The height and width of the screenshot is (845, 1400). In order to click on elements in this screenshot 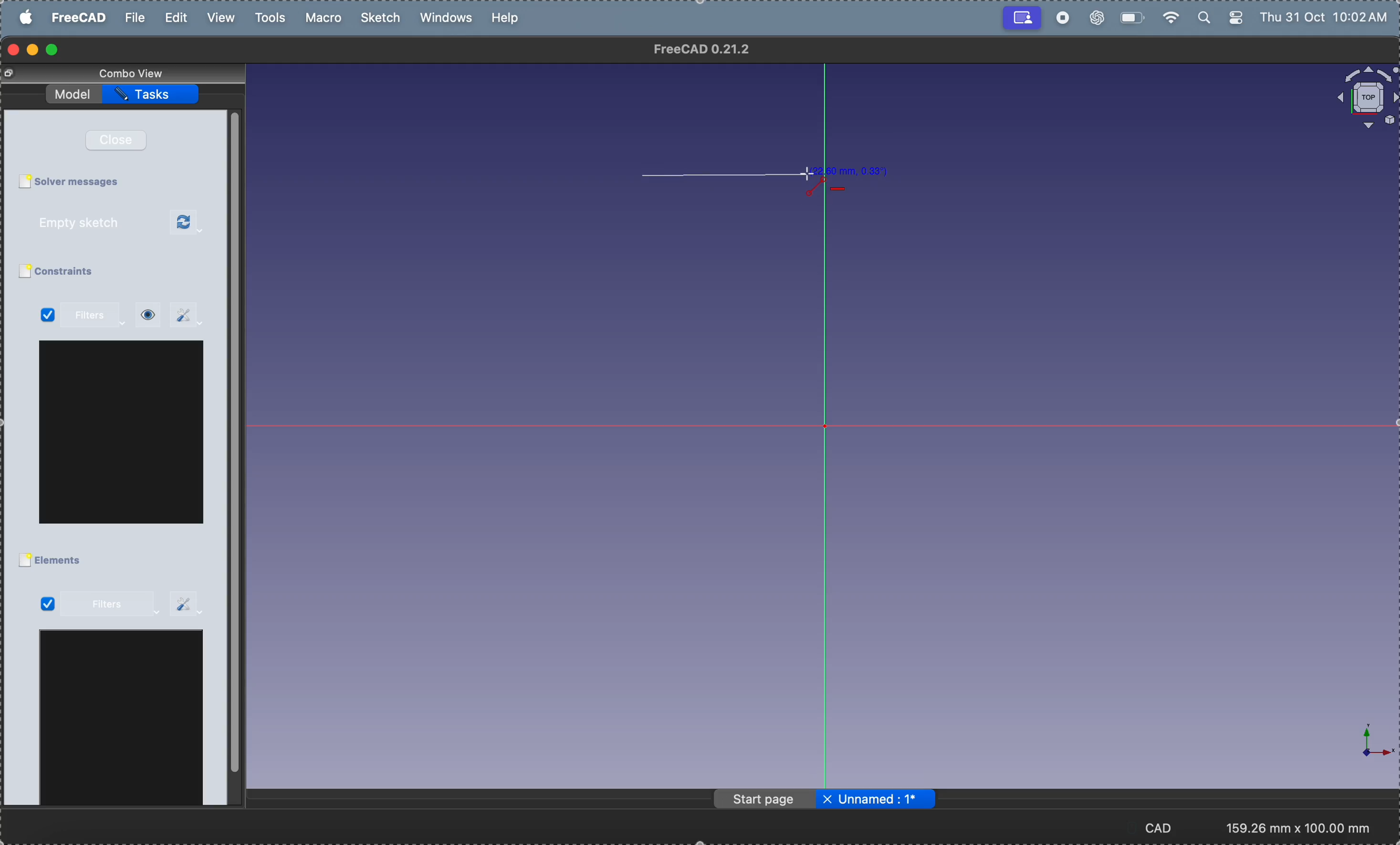, I will do `click(63, 561)`.